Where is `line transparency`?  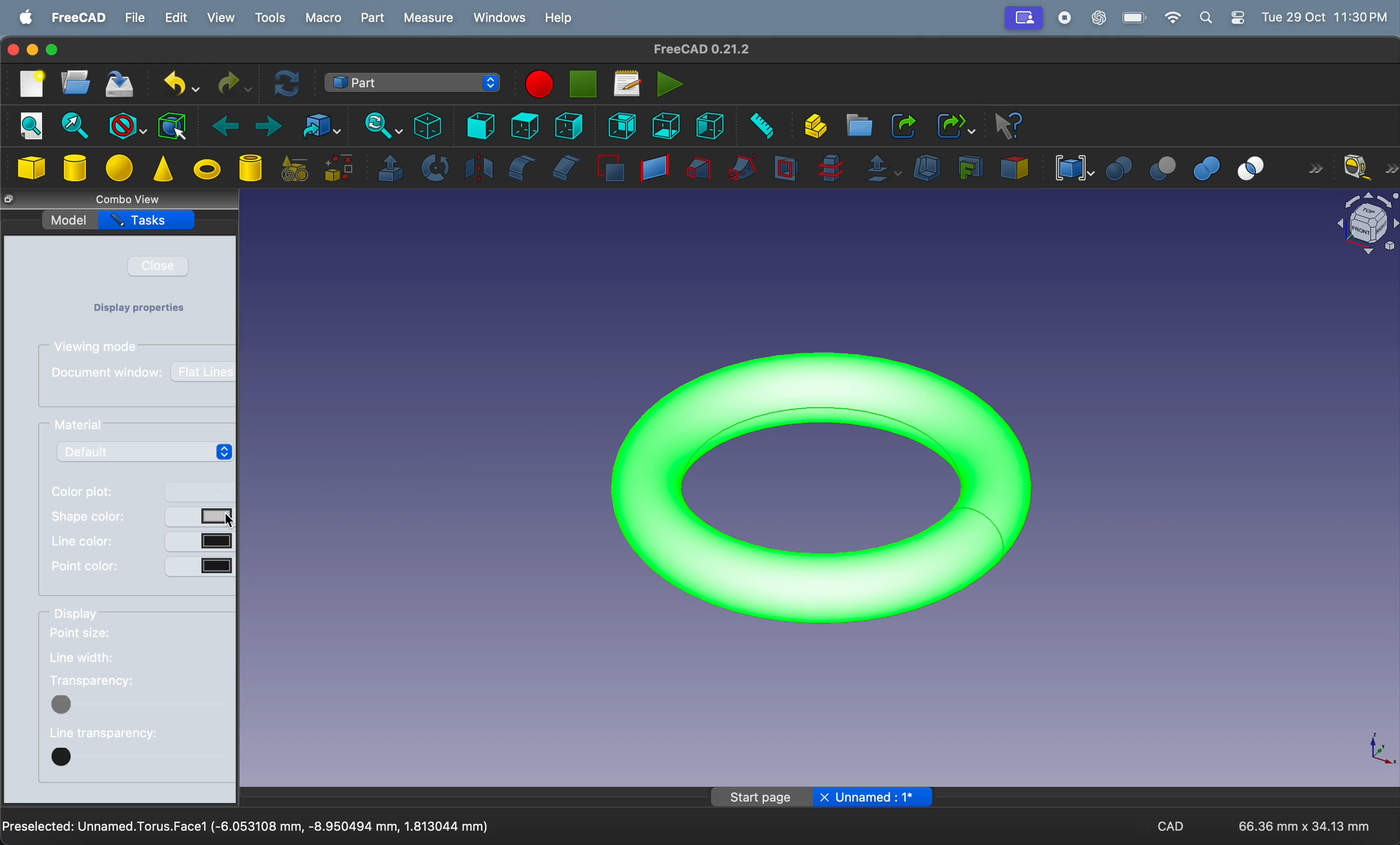 line transparency is located at coordinates (105, 734).